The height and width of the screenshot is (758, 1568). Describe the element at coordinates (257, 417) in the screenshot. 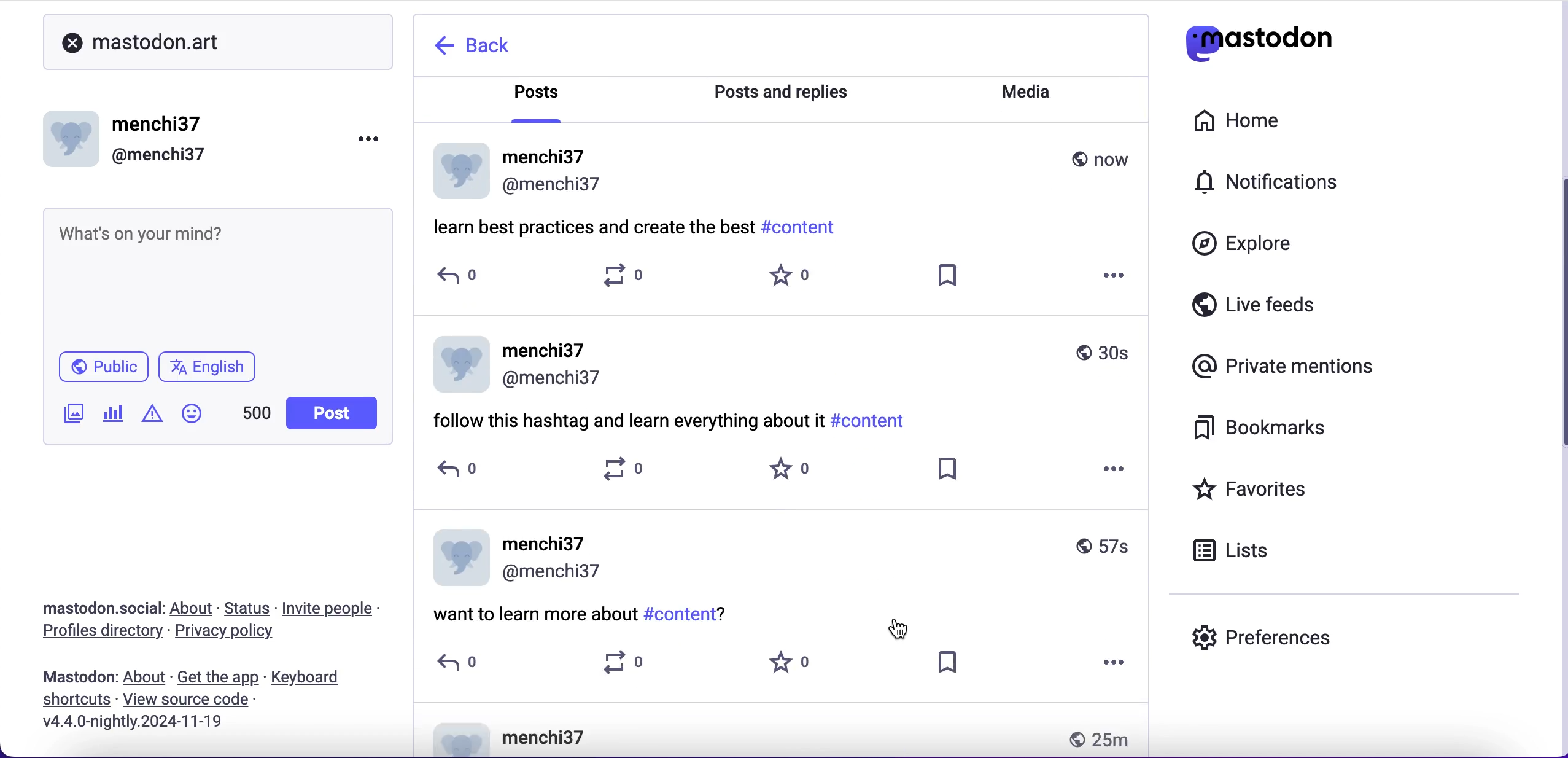

I see `451 characters left` at that location.